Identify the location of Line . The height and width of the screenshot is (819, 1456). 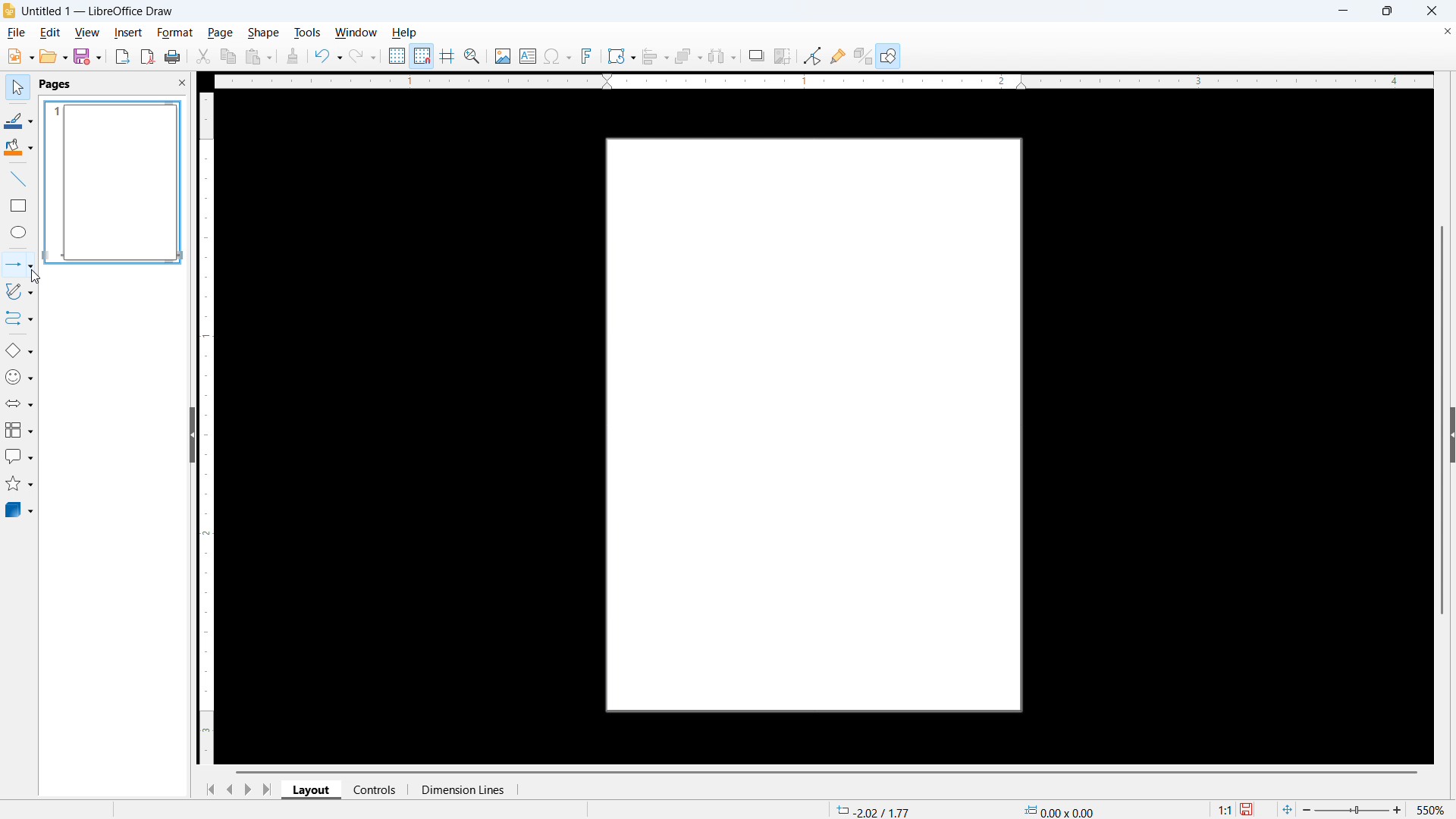
(19, 180).